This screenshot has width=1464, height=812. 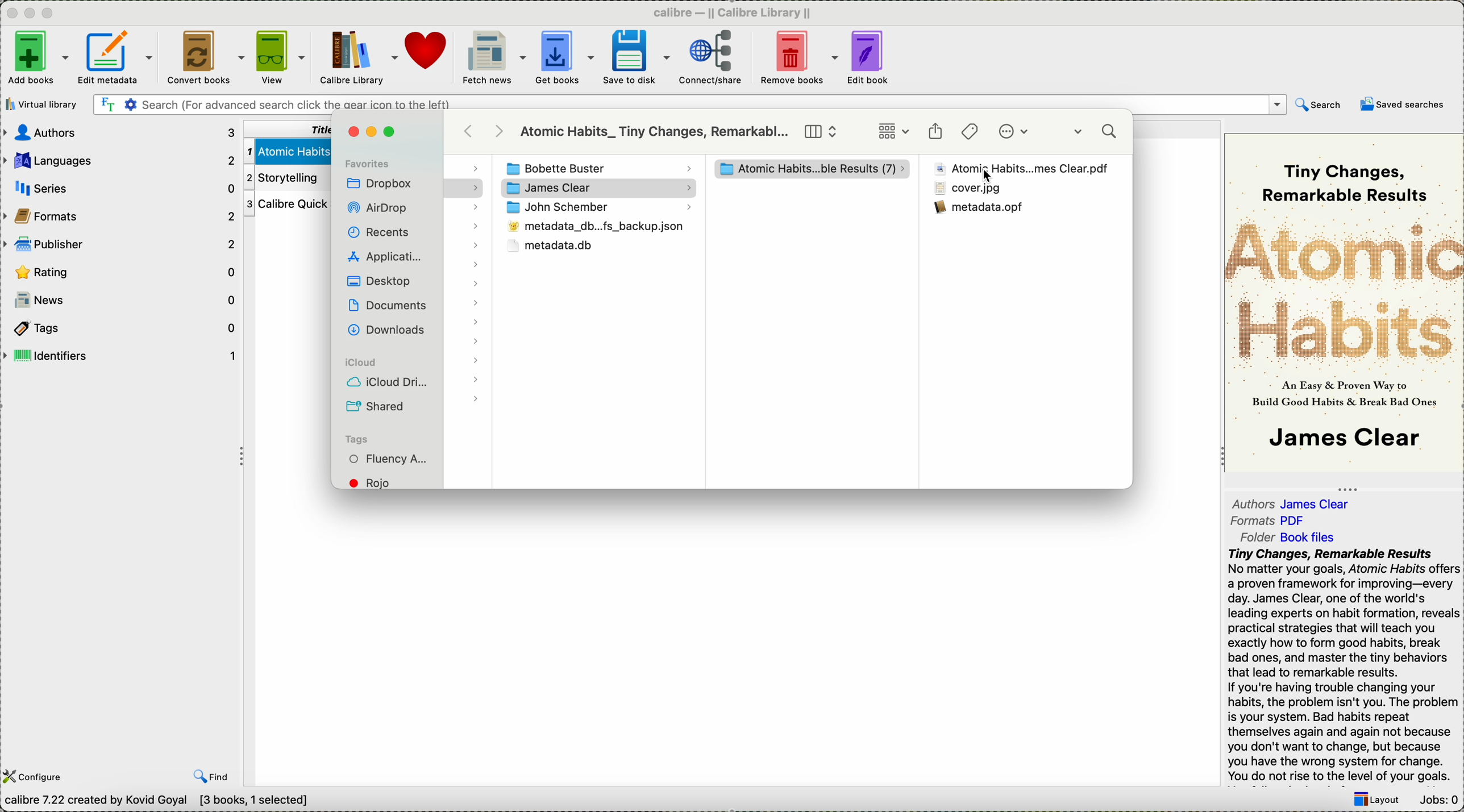 I want to click on shared, so click(x=377, y=406).